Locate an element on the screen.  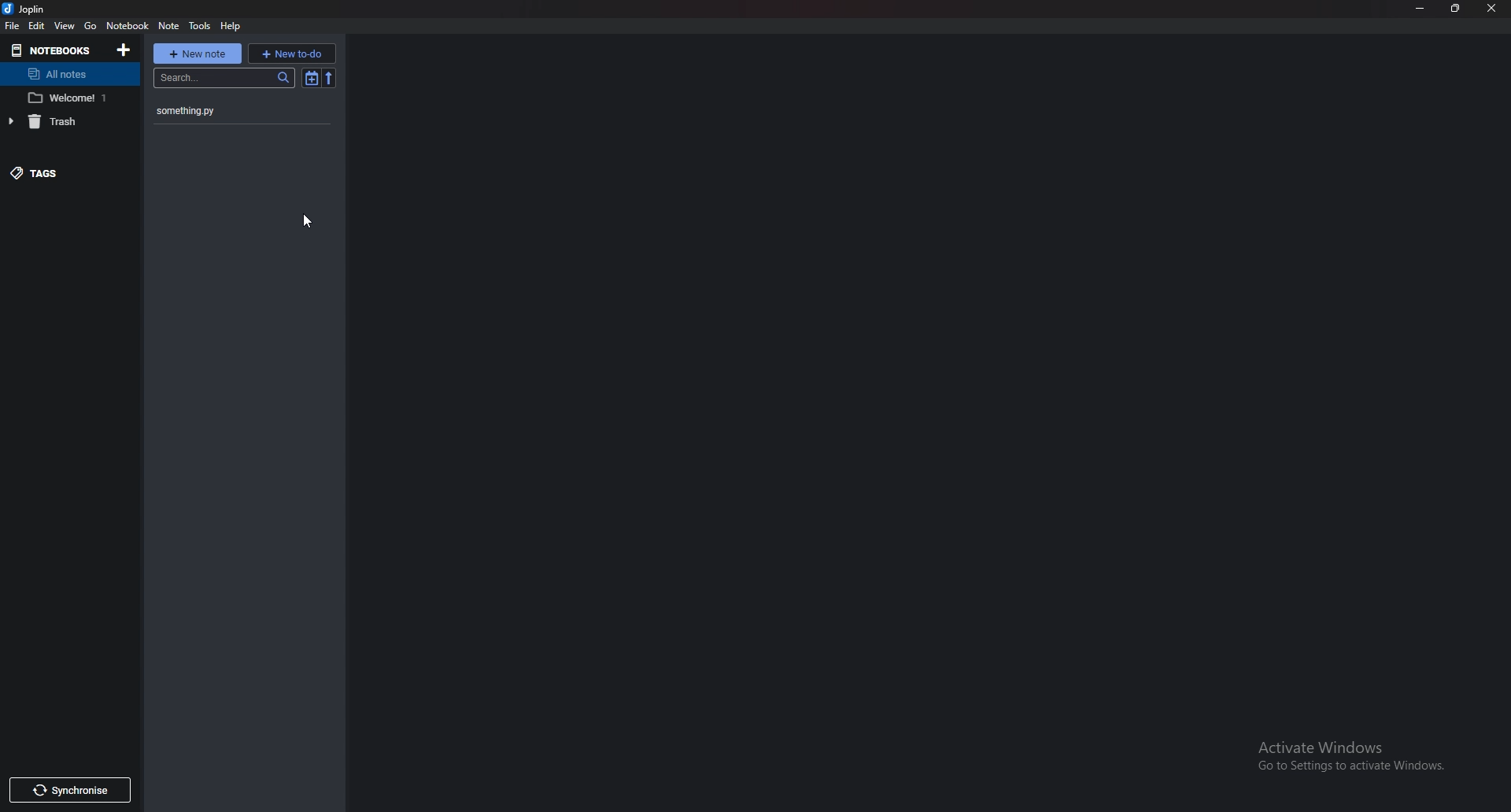
joplin is located at coordinates (25, 8).